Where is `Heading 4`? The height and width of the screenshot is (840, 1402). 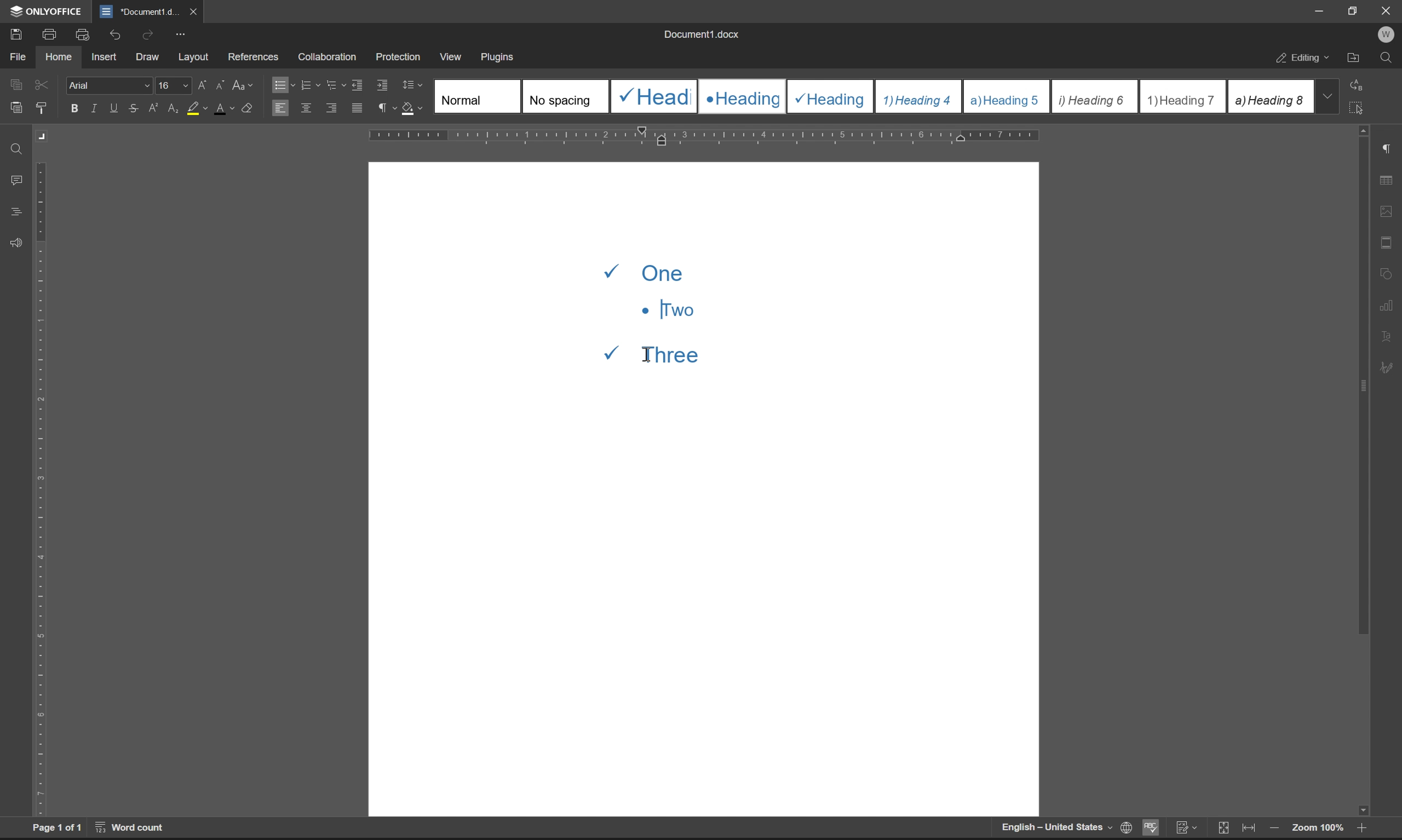 Heading 4 is located at coordinates (919, 97).